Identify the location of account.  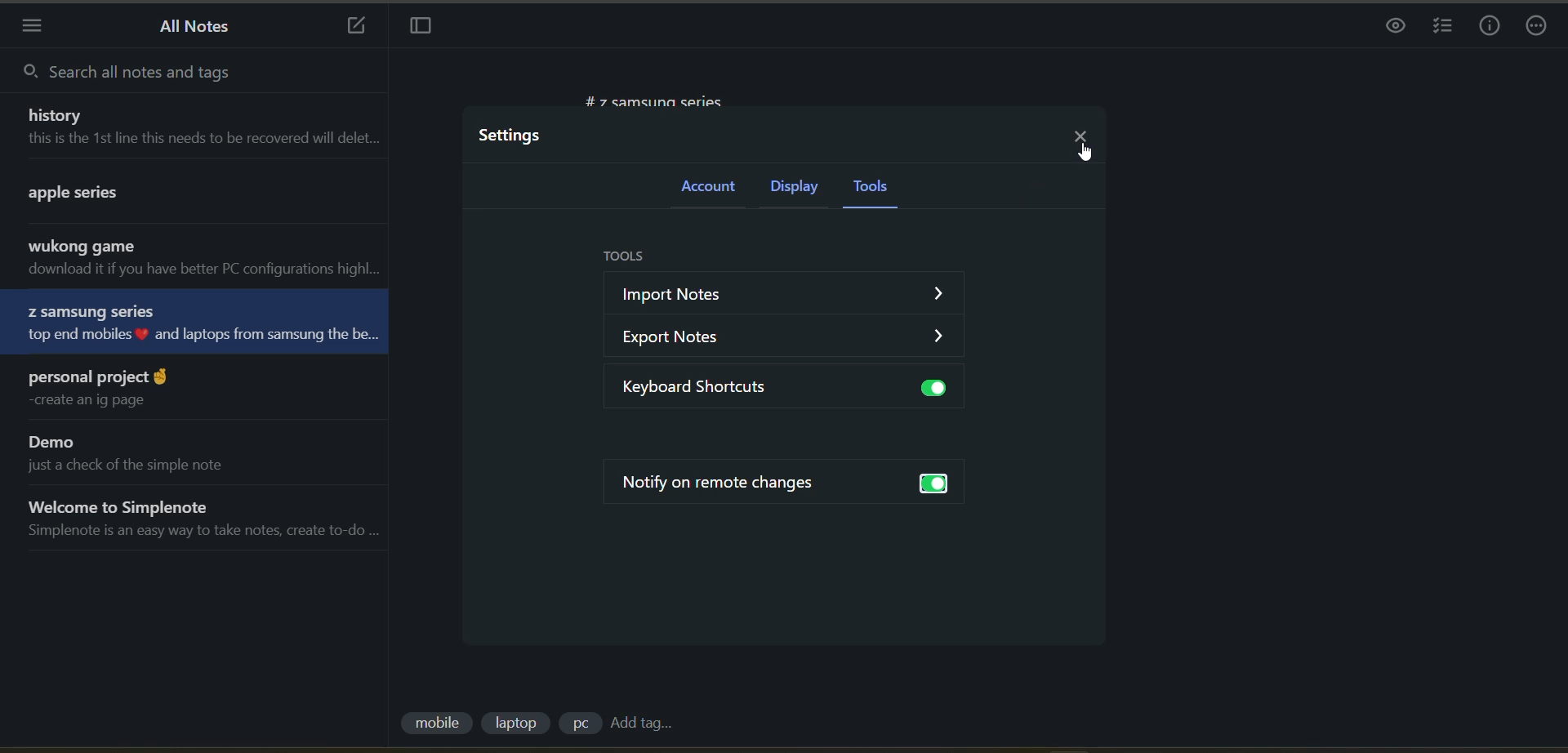
(704, 187).